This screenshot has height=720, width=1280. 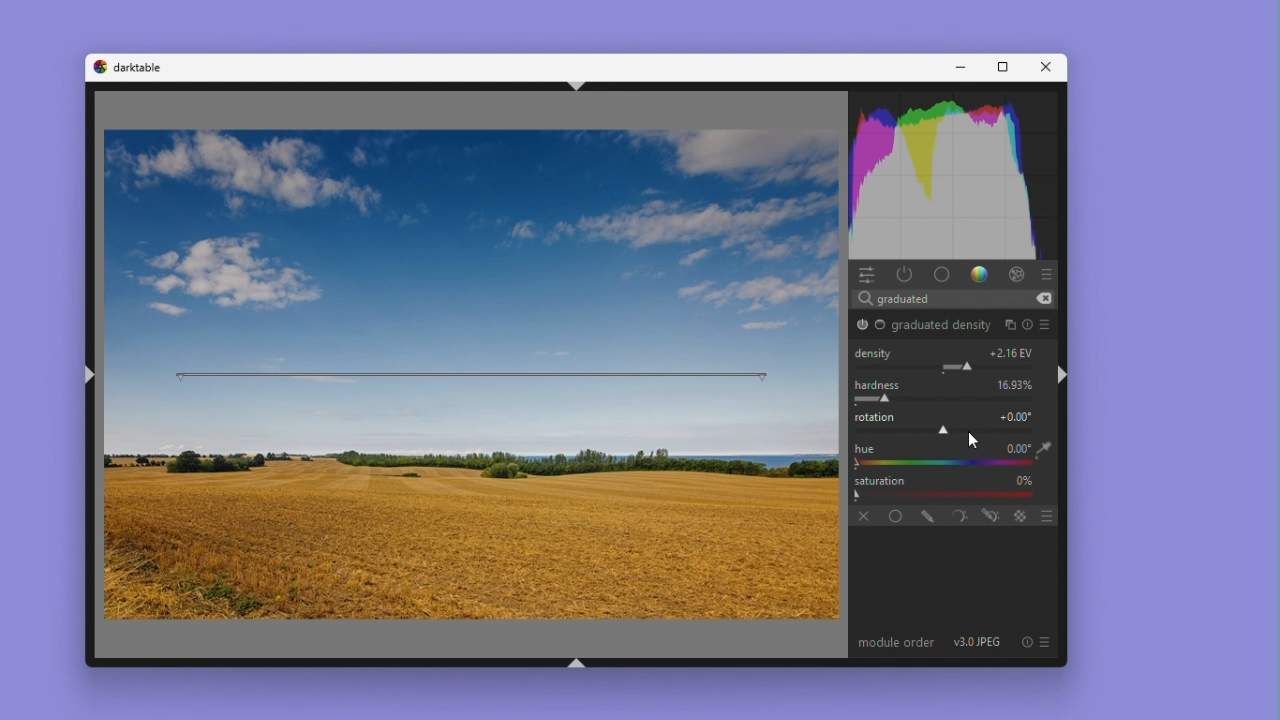 What do you see at coordinates (1048, 324) in the screenshot?
I see `preset` at bounding box center [1048, 324].